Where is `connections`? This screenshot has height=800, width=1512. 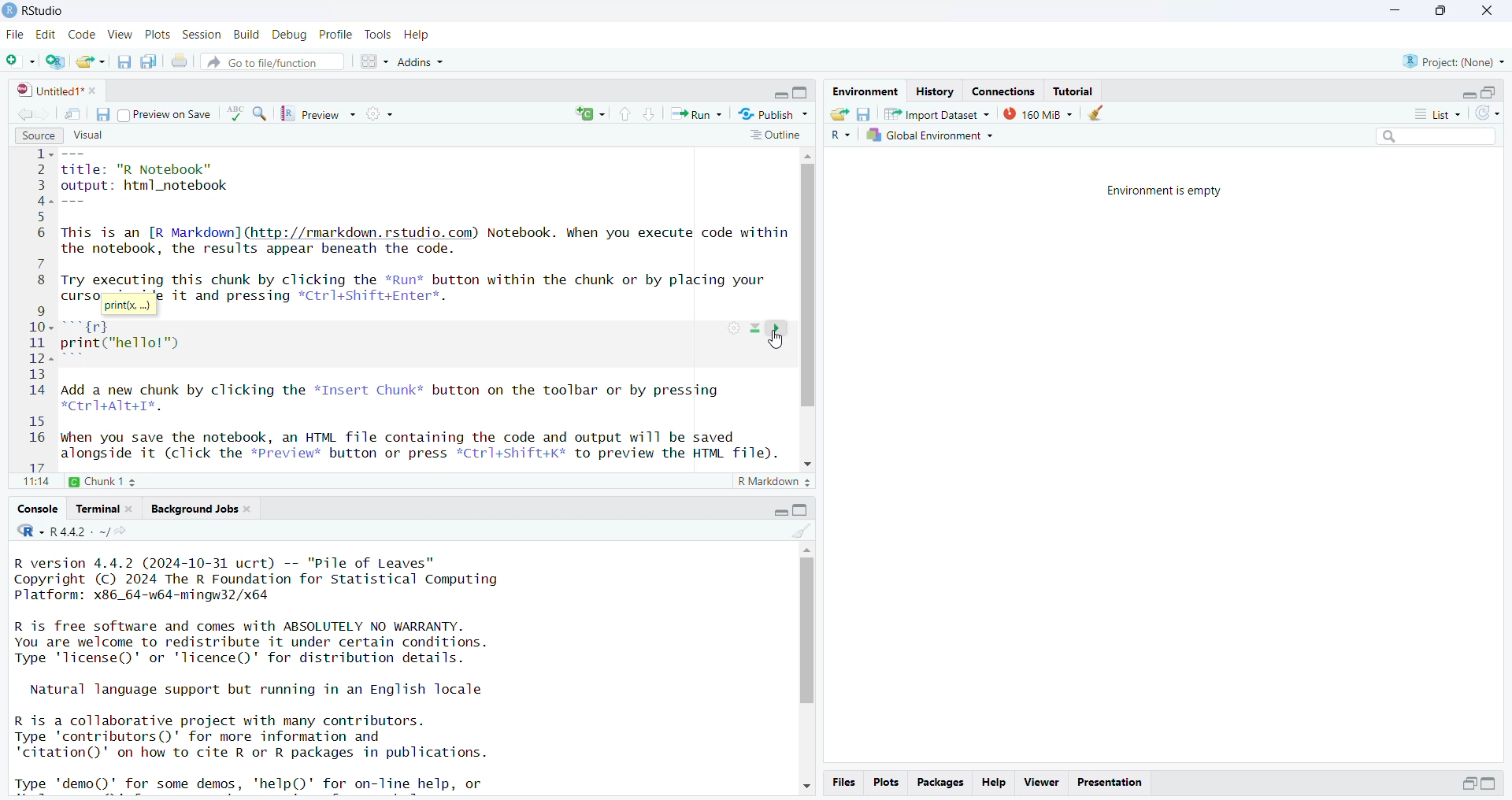
connections is located at coordinates (1008, 91).